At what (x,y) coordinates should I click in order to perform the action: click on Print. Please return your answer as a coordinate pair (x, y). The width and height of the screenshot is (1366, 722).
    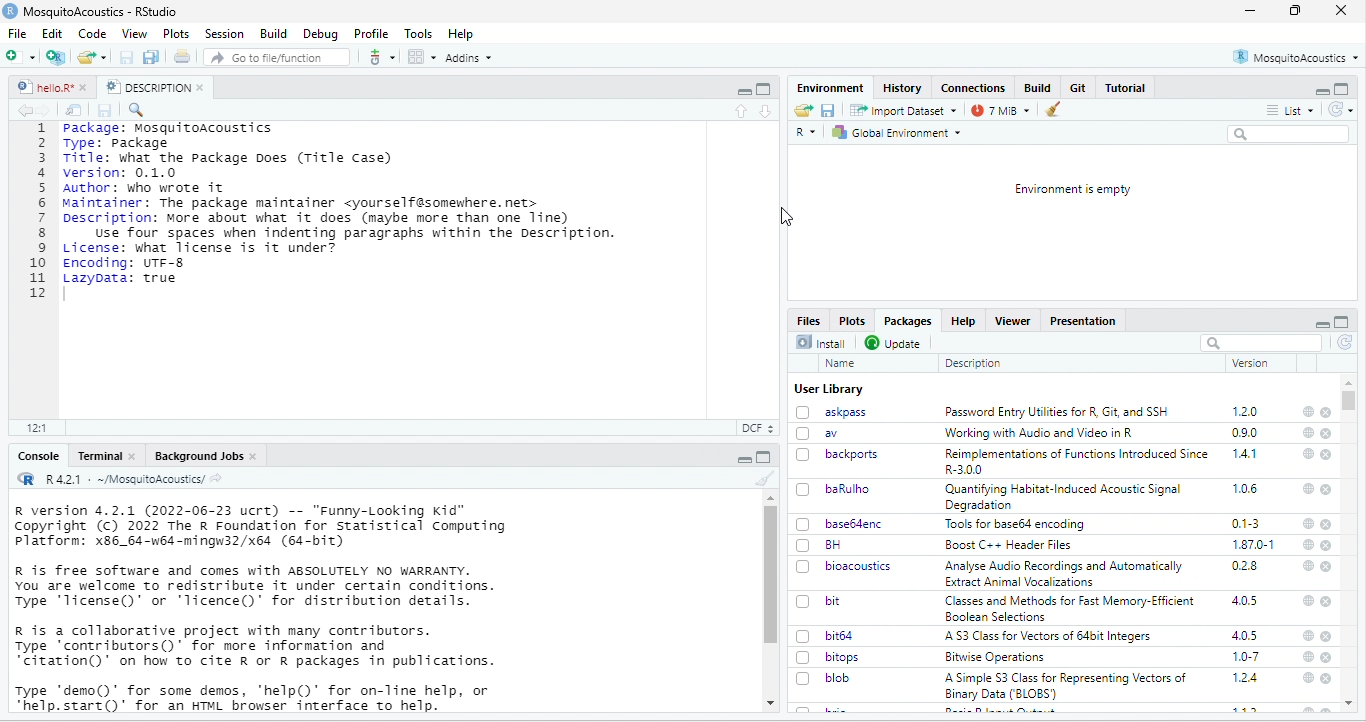
    Looking at the image, I should click on (183, 56).